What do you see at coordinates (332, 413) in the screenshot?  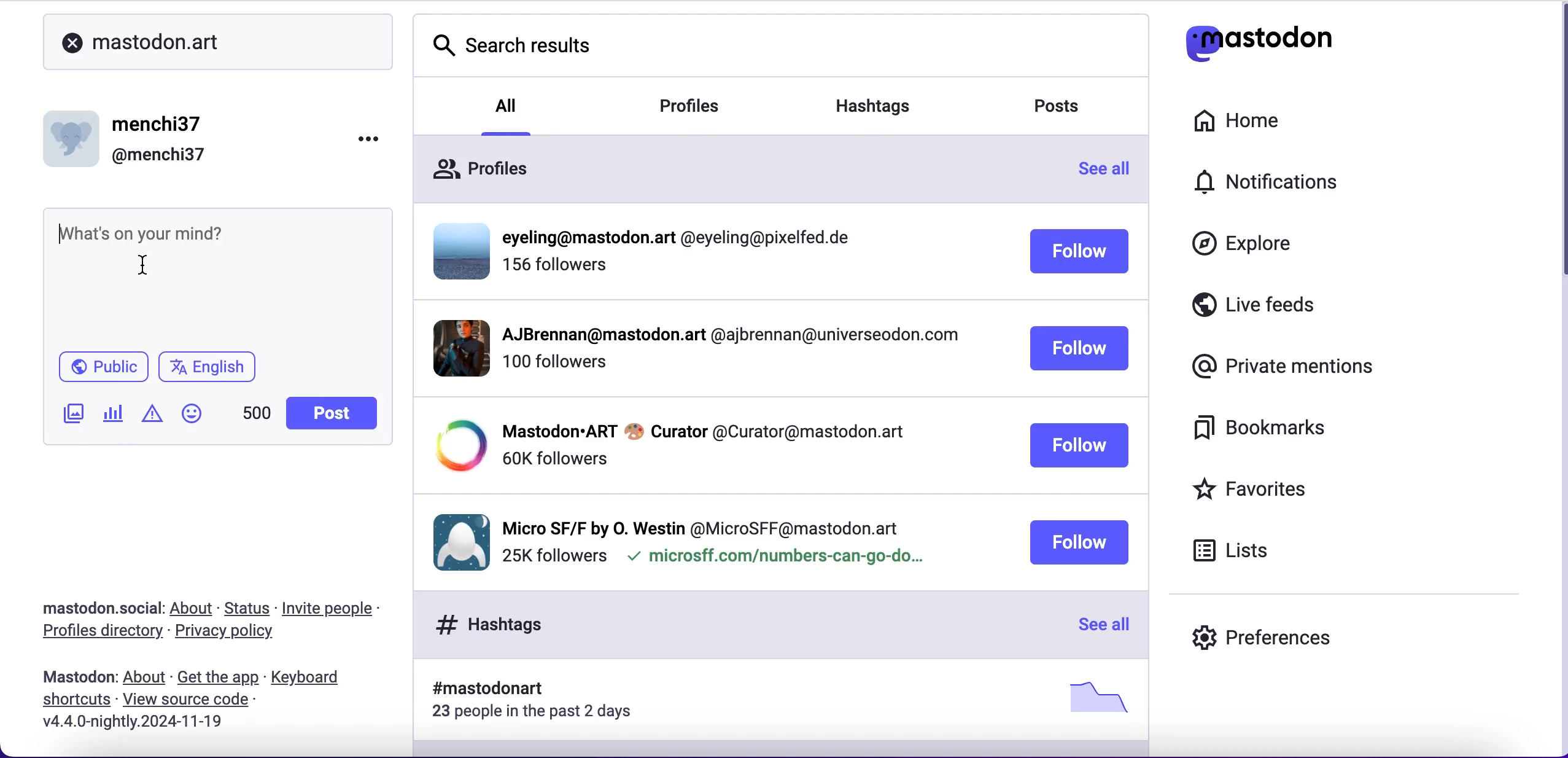 I see `post` at bounding box center [332, 413].